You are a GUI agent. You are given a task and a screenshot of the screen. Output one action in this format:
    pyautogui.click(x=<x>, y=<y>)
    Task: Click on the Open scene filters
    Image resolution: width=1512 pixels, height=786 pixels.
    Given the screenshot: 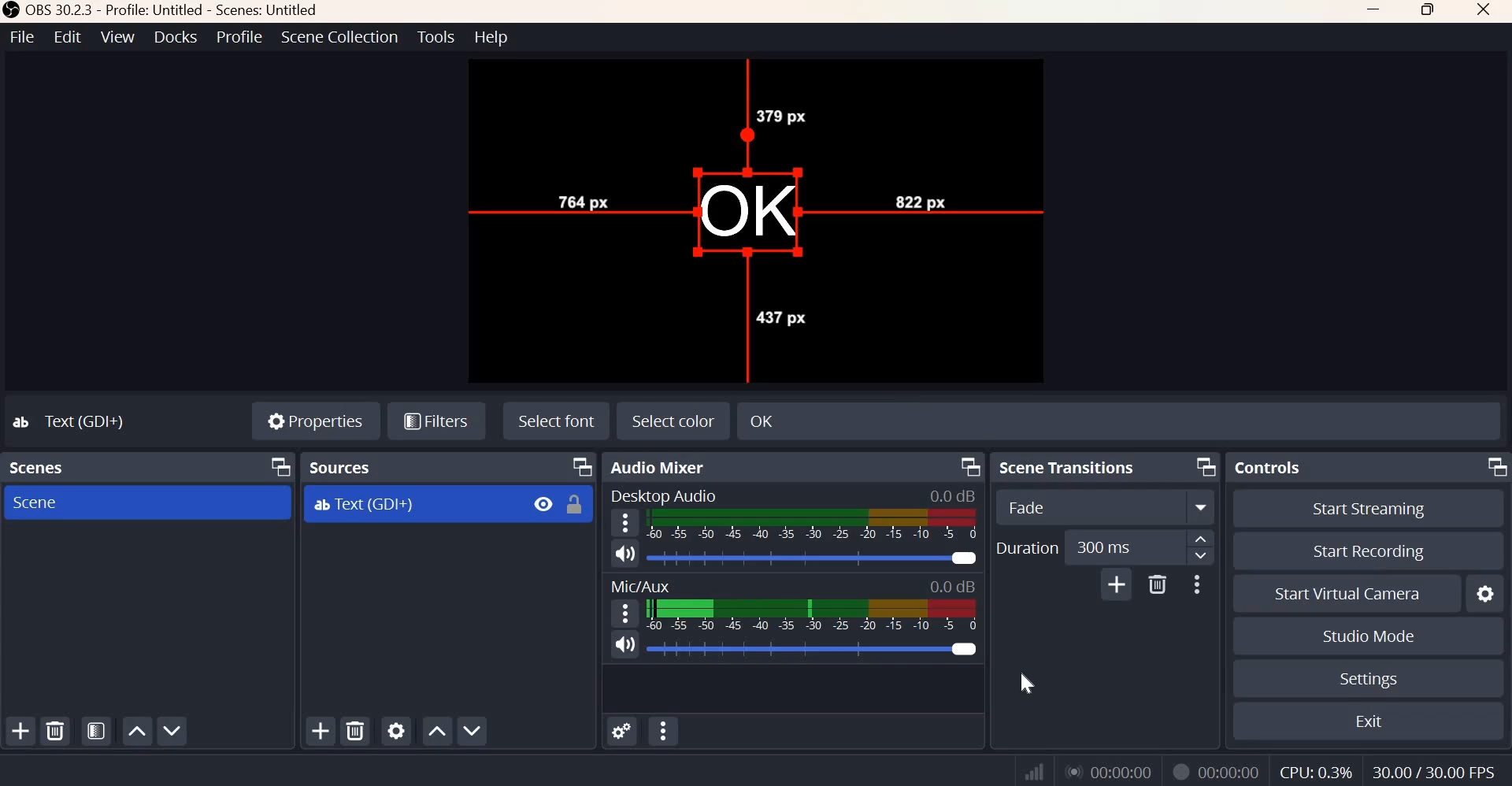 What is the action you would take?
    pyautogui.click(x=95, y=730)
    